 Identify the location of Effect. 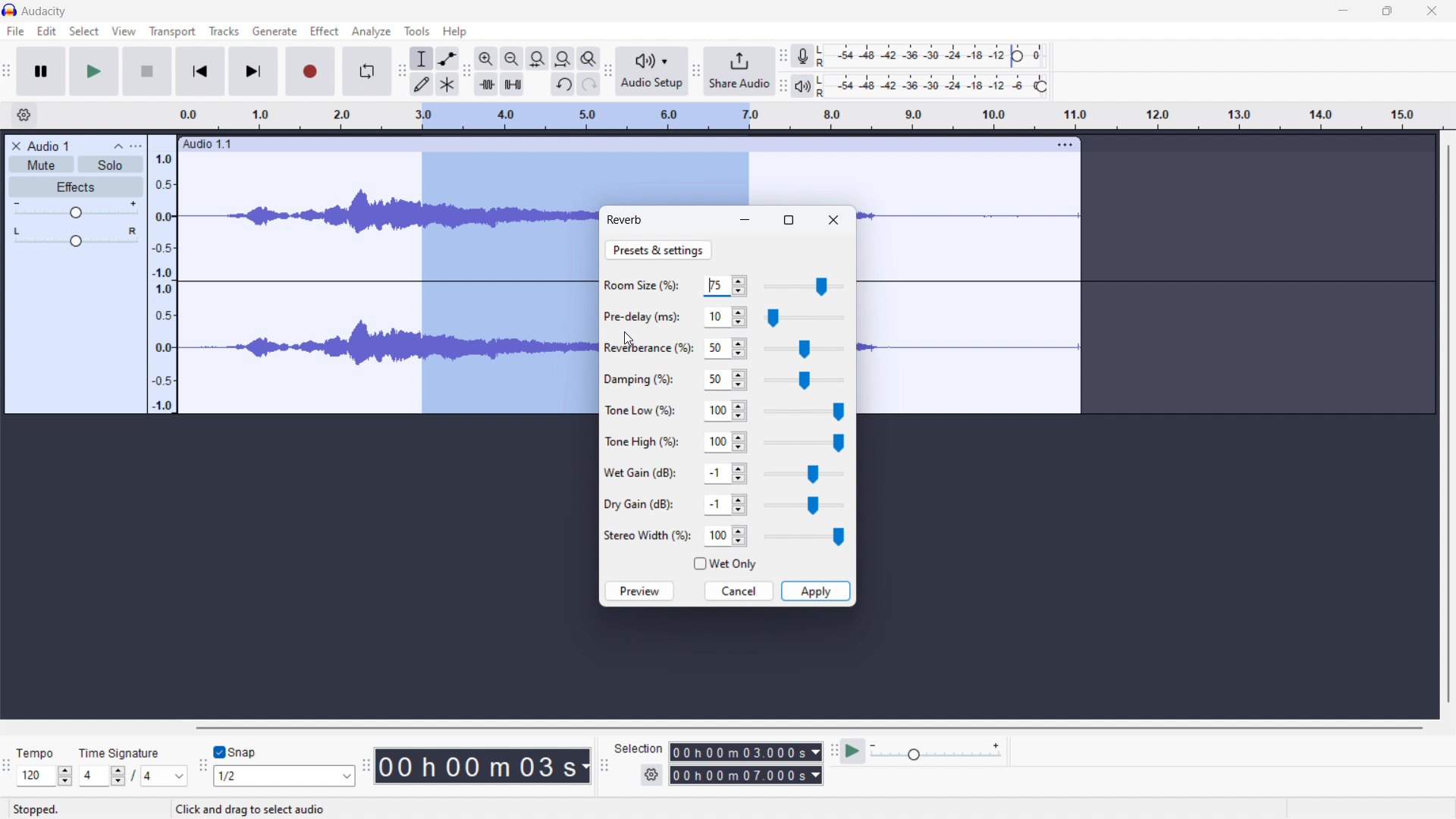
(325, 33).